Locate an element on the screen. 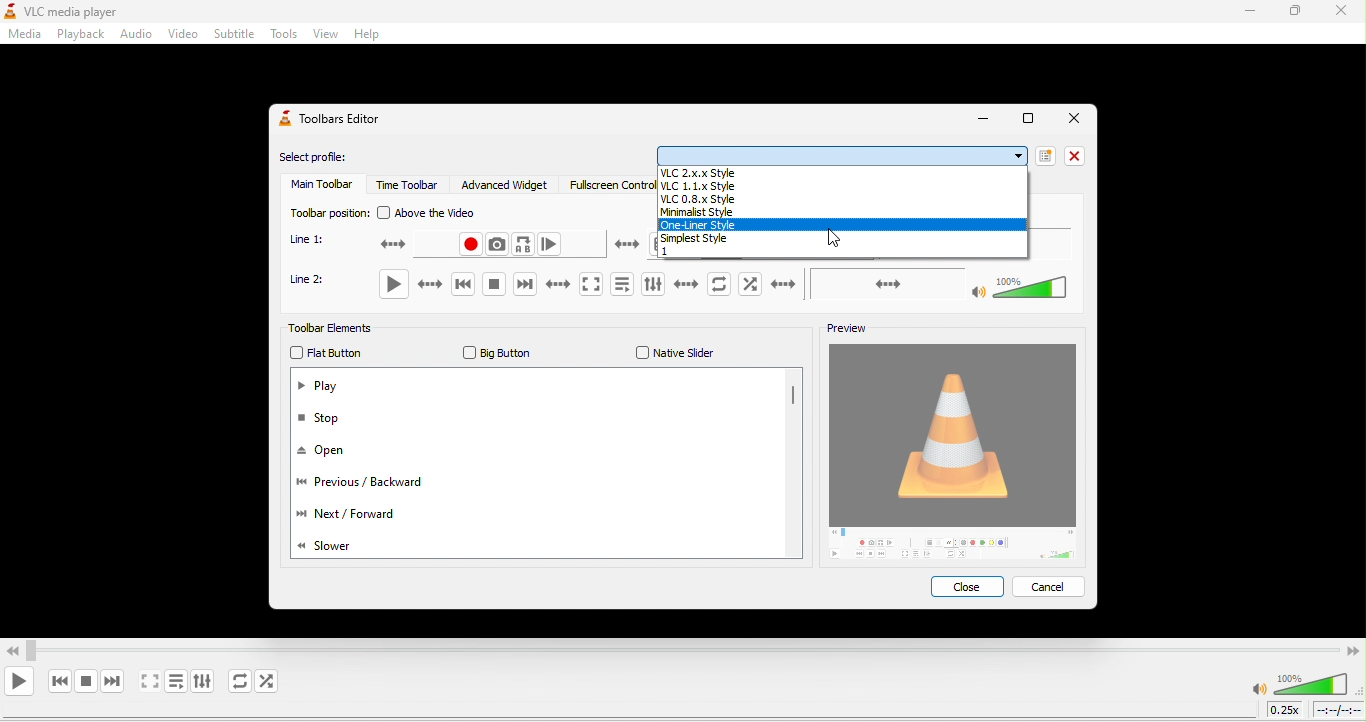  take a snapshot is located at coordinates (498, 245).